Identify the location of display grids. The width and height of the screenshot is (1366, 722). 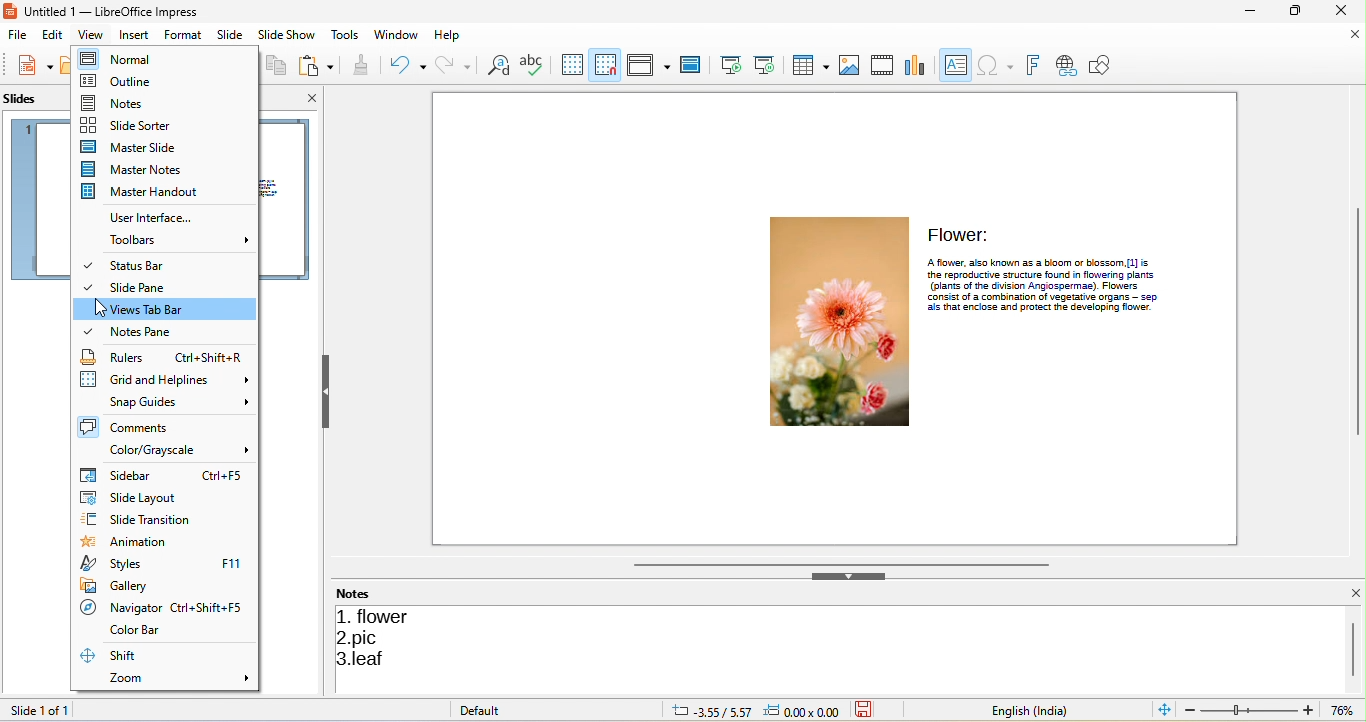
(567, 65).